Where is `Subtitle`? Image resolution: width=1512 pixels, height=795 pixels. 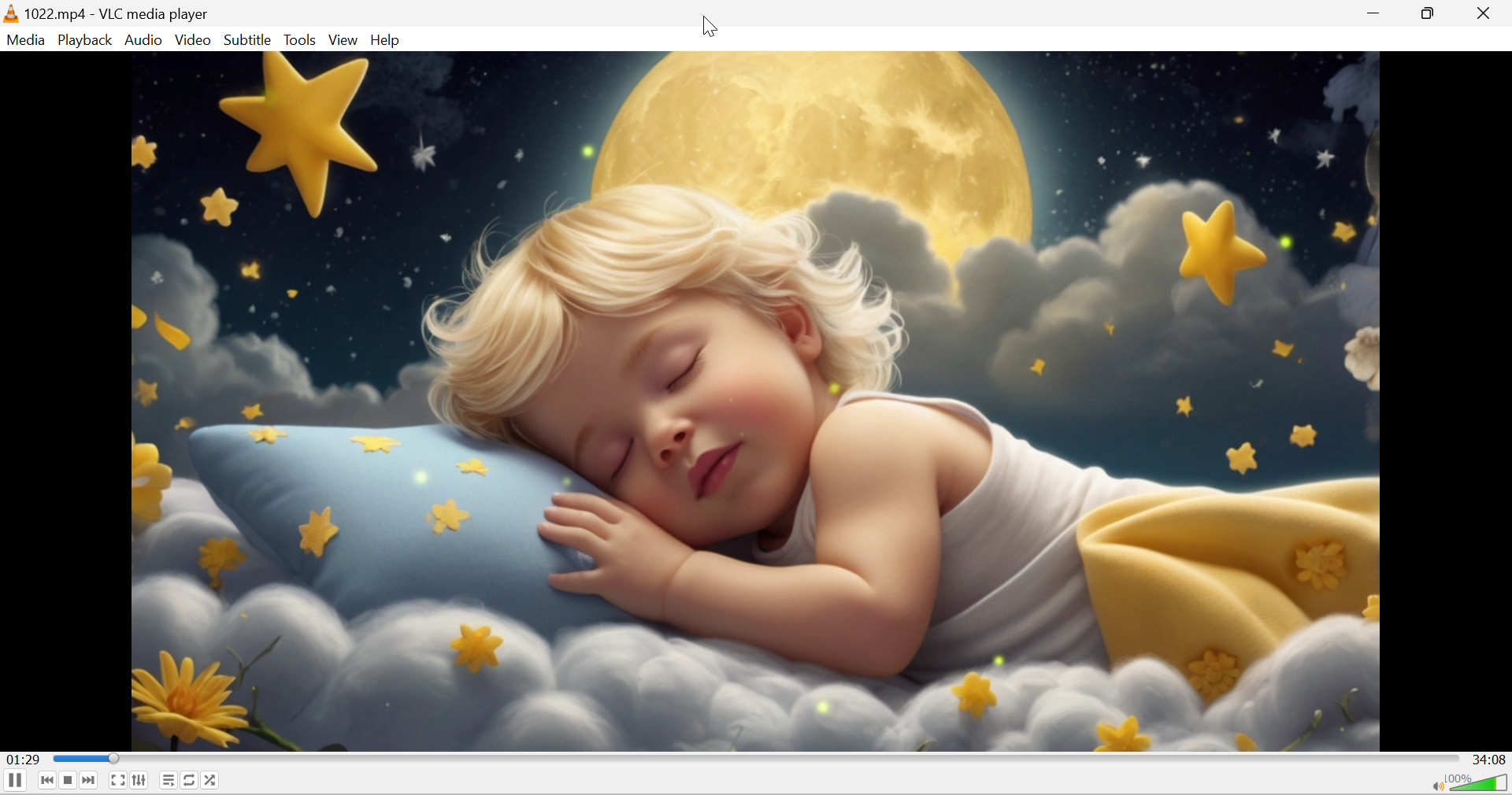
Subtitle is located at coordinates (248, 41).